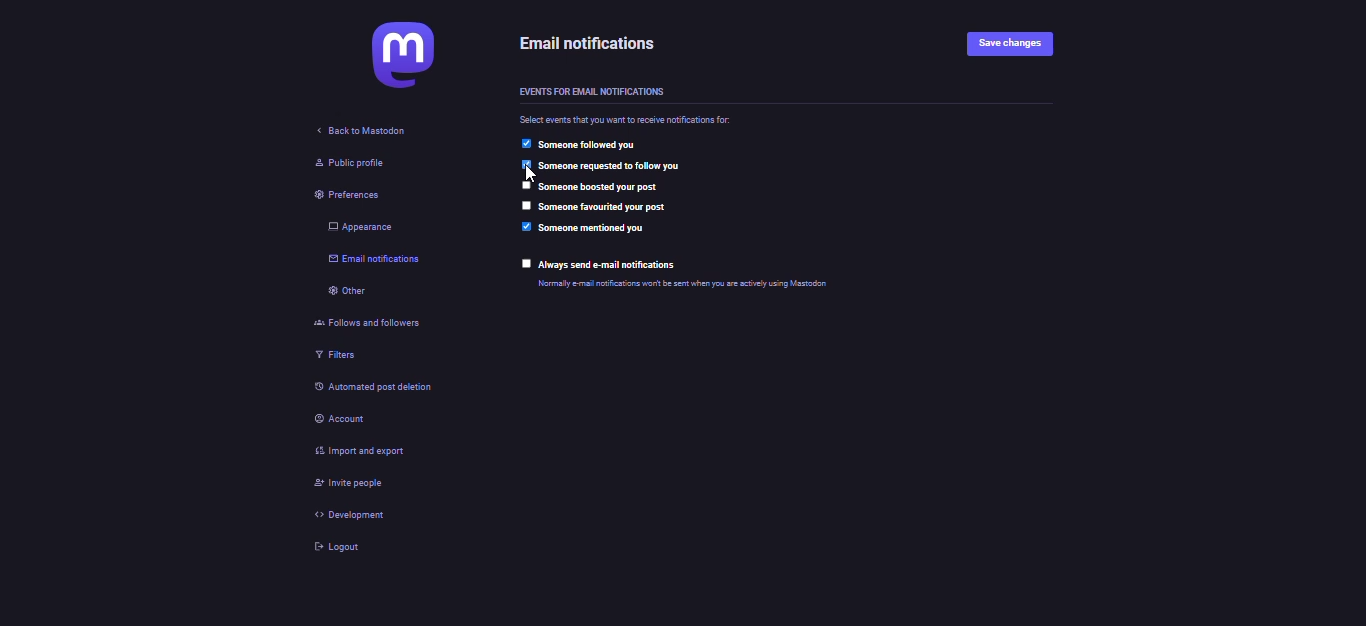 This screenshot has height=626, width=1366. What do you see at coordinates (526, 185) in the screenshot?
I see `click to enable` at bounding box center [526, 185].